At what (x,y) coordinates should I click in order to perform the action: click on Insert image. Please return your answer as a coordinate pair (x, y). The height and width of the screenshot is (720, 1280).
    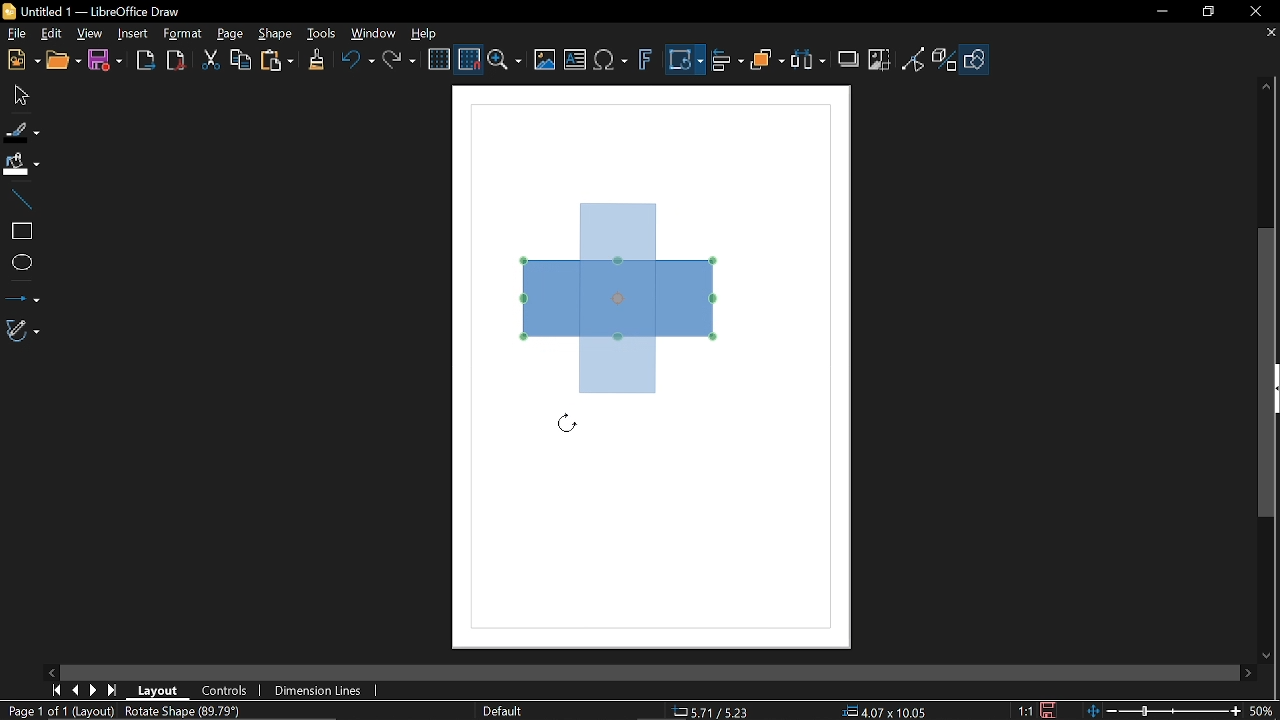
    Looking at the image, I should click on (545, 61).